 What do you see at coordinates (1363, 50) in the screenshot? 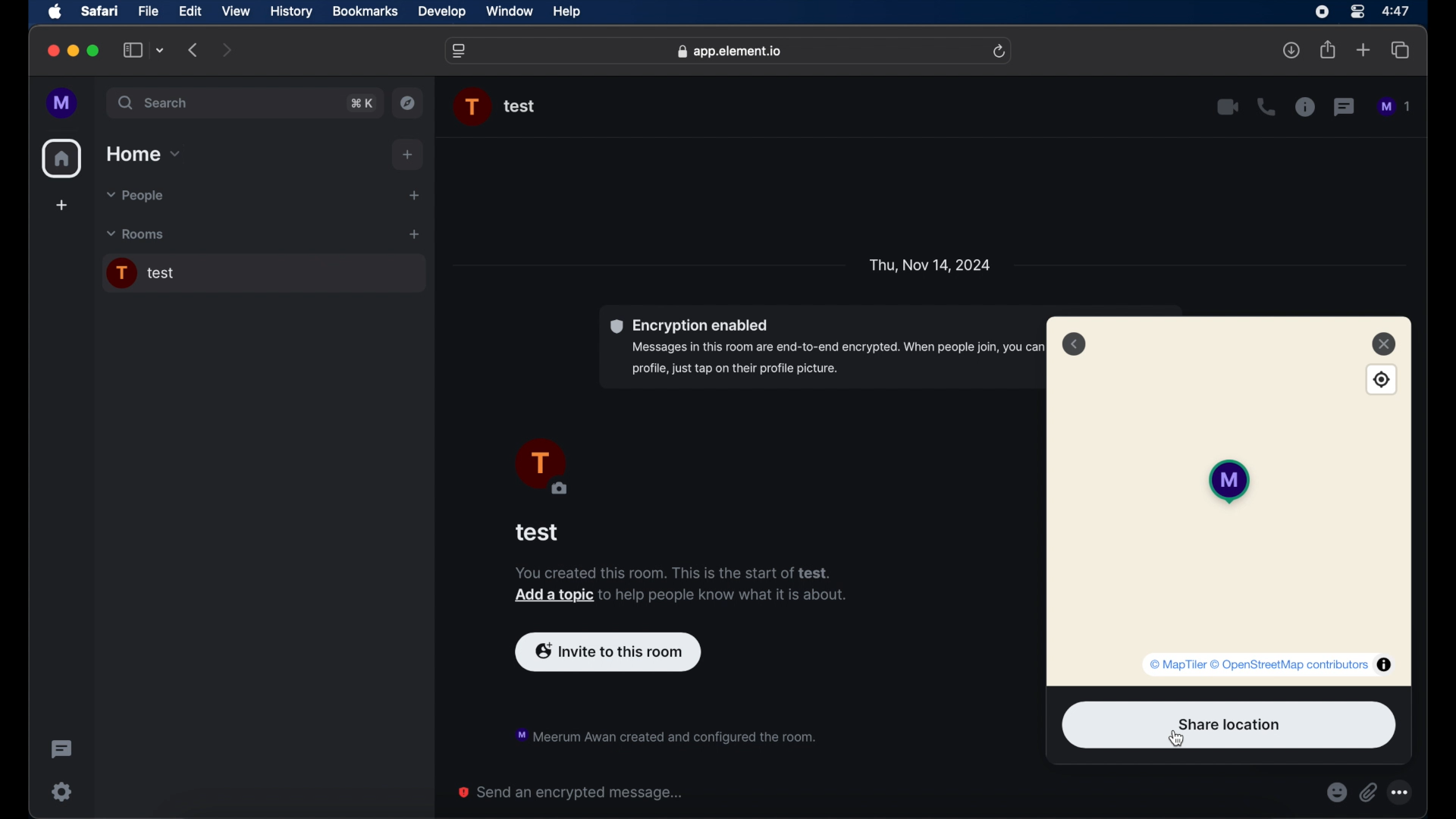
I see `new tab` at bounding box center [1363, 50].